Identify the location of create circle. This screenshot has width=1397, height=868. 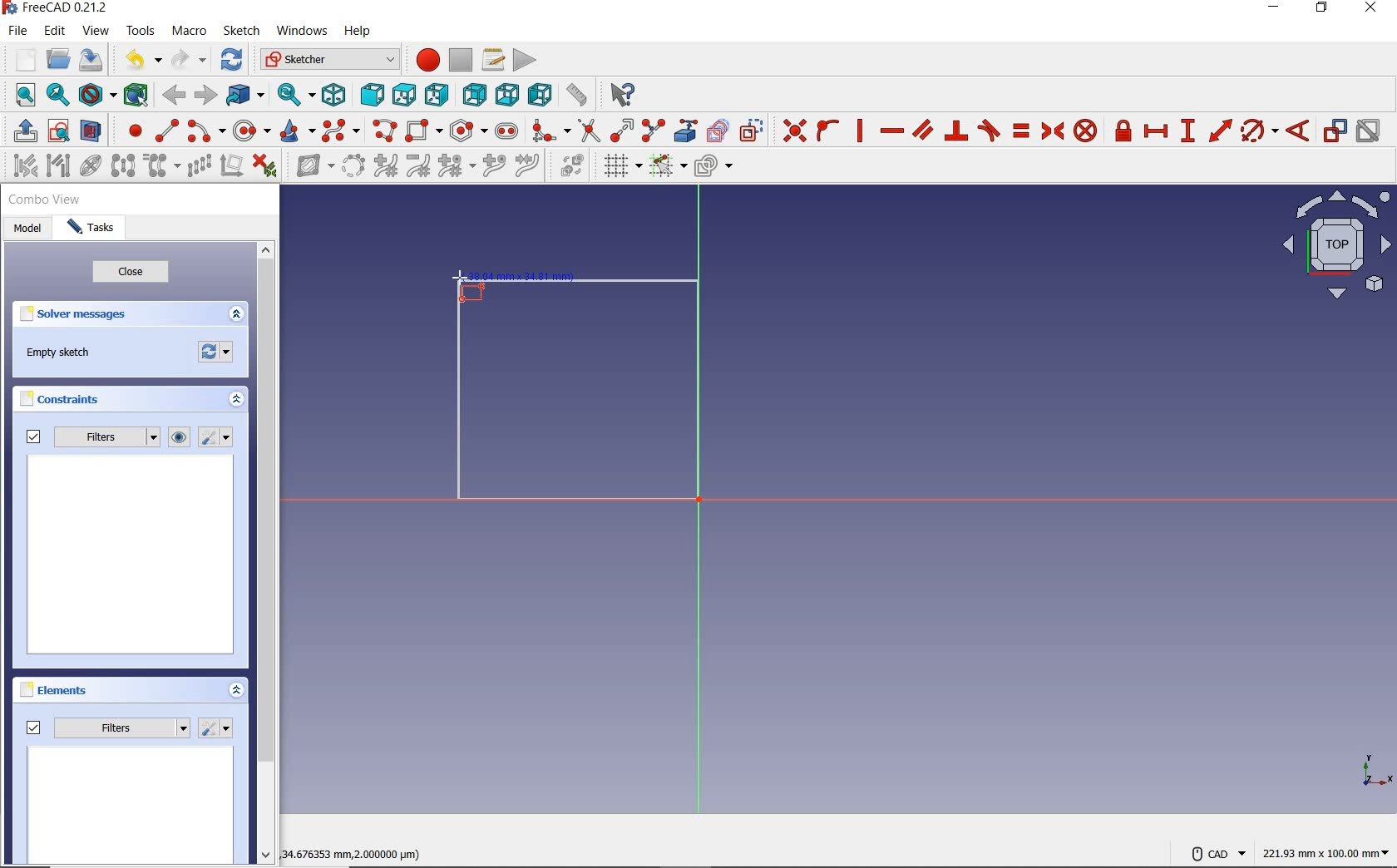
(251, 132).